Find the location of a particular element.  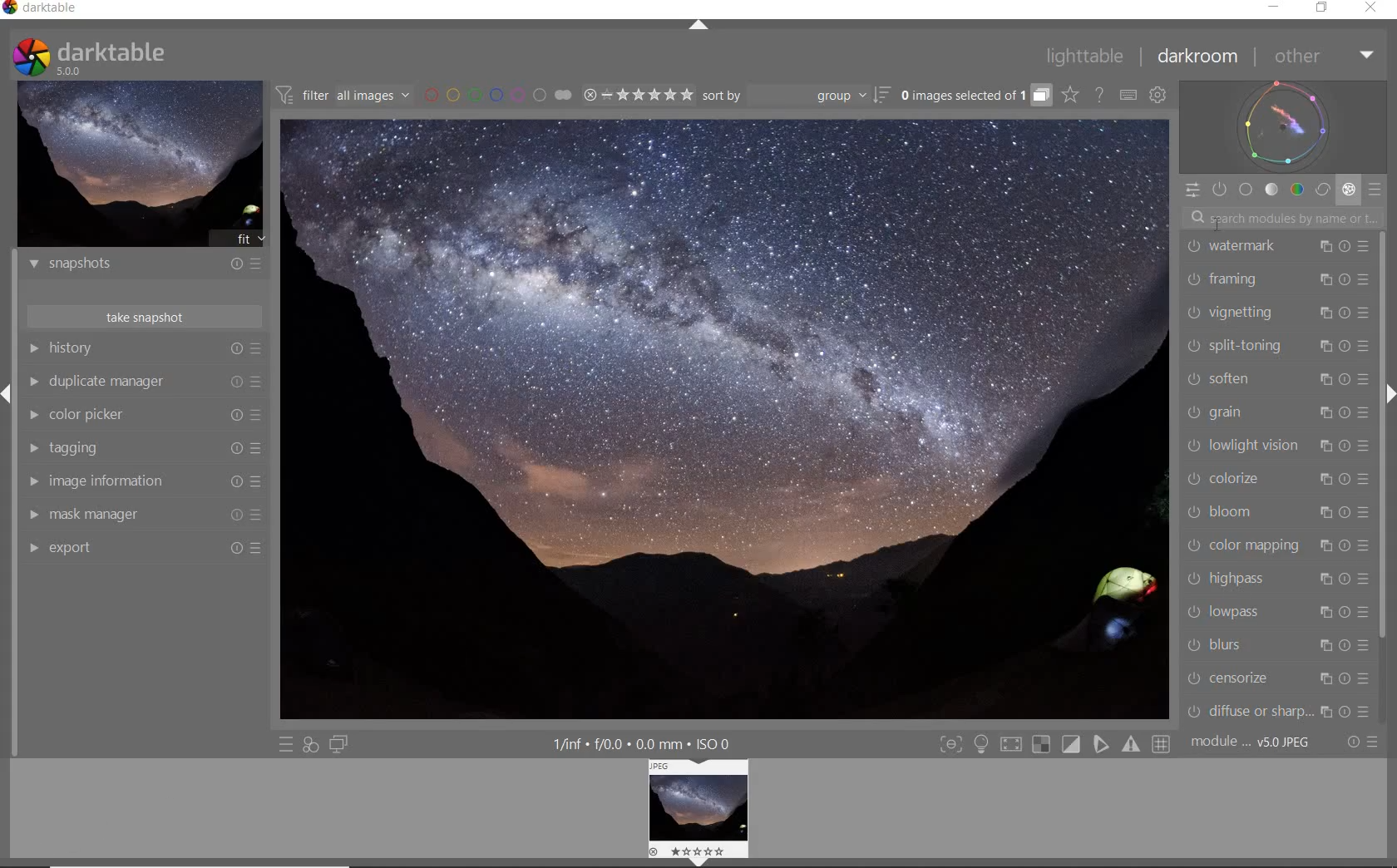

EXPAND/COLLAPSE is located at coordinates (698, 26).